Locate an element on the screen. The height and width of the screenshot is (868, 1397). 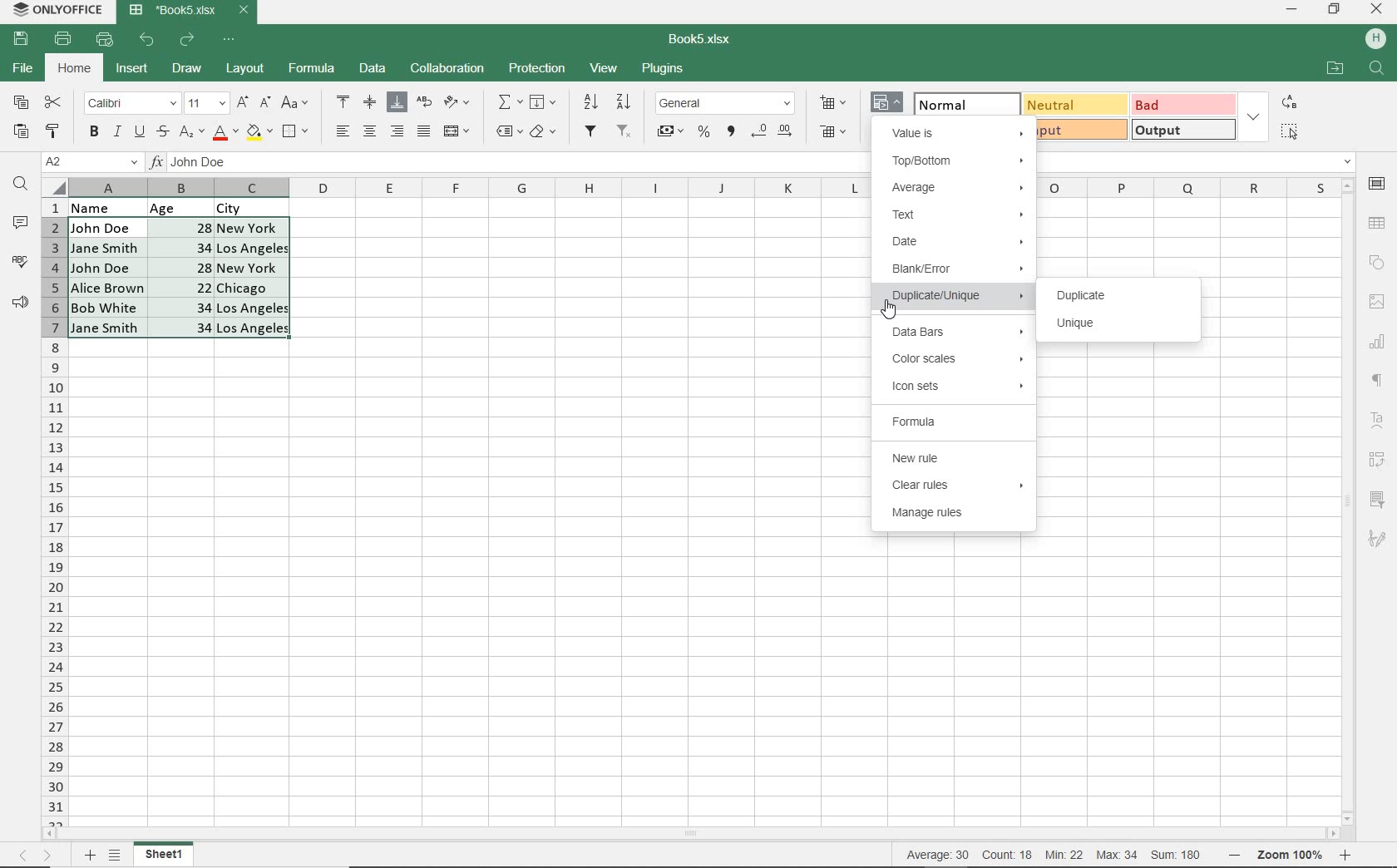
QUICK PRINT is located at coordinates (105, 40).